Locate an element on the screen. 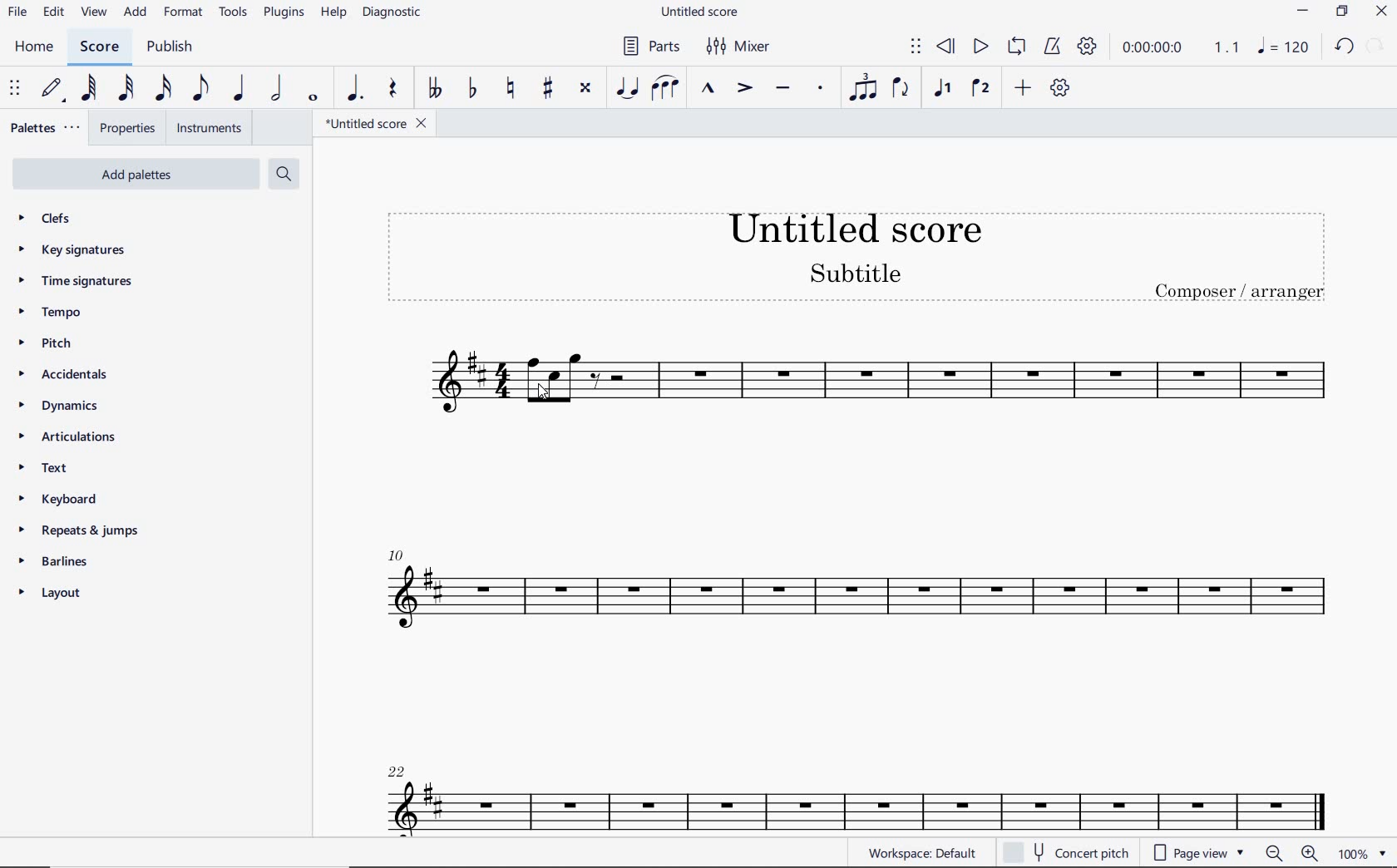  ADD is located at coordinates (1024, 89).